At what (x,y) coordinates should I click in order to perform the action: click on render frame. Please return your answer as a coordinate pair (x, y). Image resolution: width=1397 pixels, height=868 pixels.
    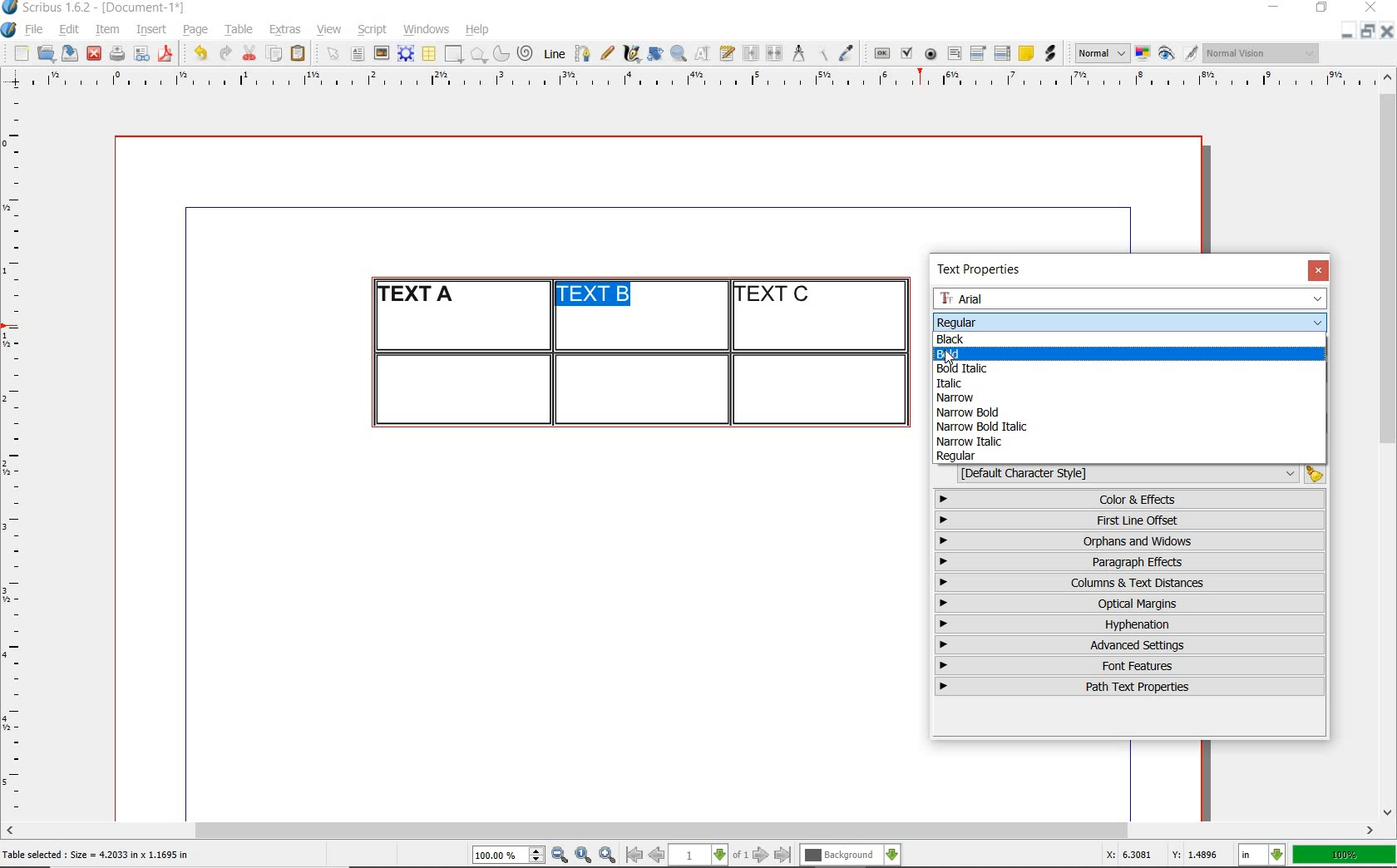
    Looking at the image, I should click on (406, 54).